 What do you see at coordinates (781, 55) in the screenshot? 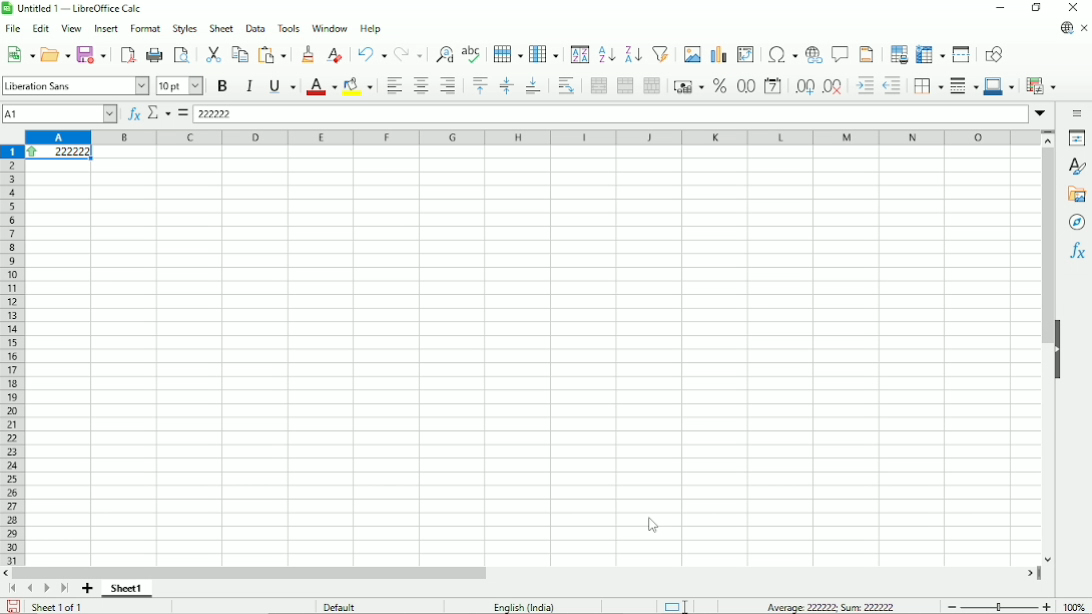
I see `Insert special characters` at bounding box center [781, 55].